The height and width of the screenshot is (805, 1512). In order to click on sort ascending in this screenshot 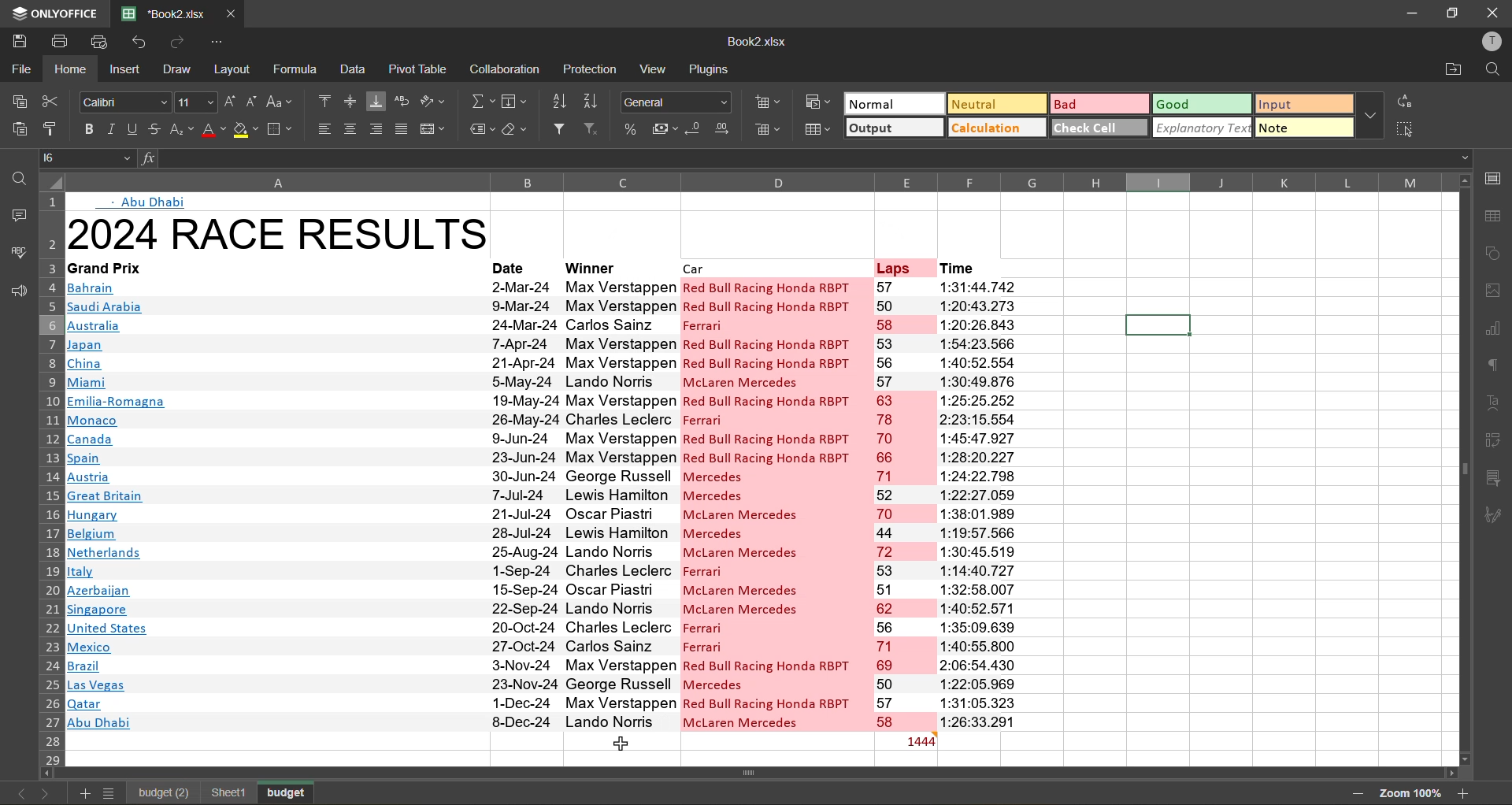, I will do `click(563, 101)`.